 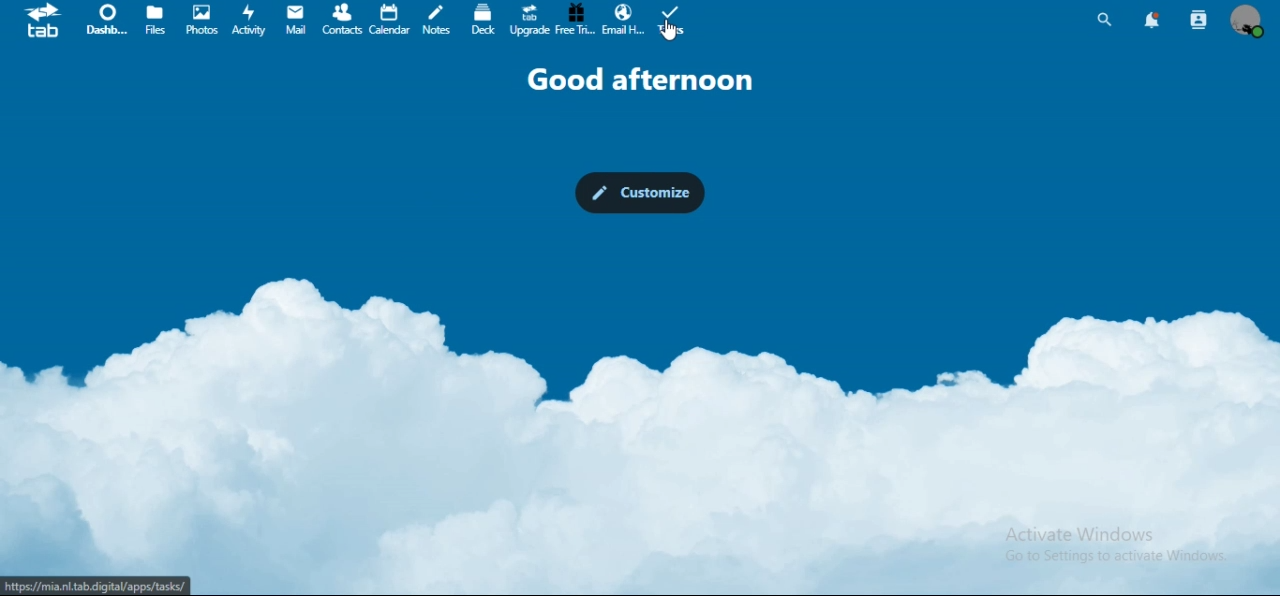 What do you see at coordinates (642, 81) in the screenshot?
I see `good afternoon` at bounding box center [642, 81].